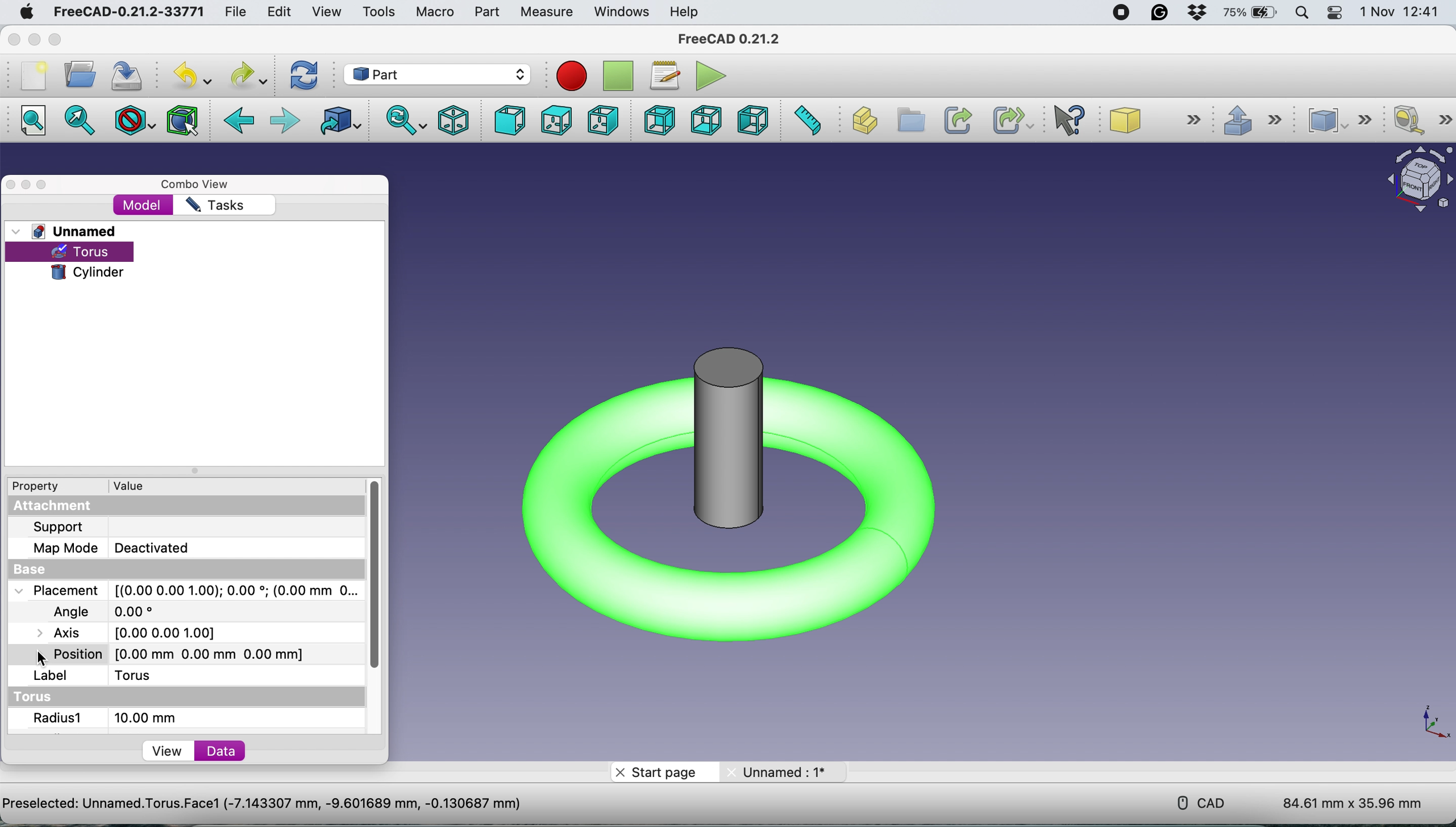  What do you see at coordinates (406, 122) in the screenshot?
I see `sync view` at bounding box center [406, 122].